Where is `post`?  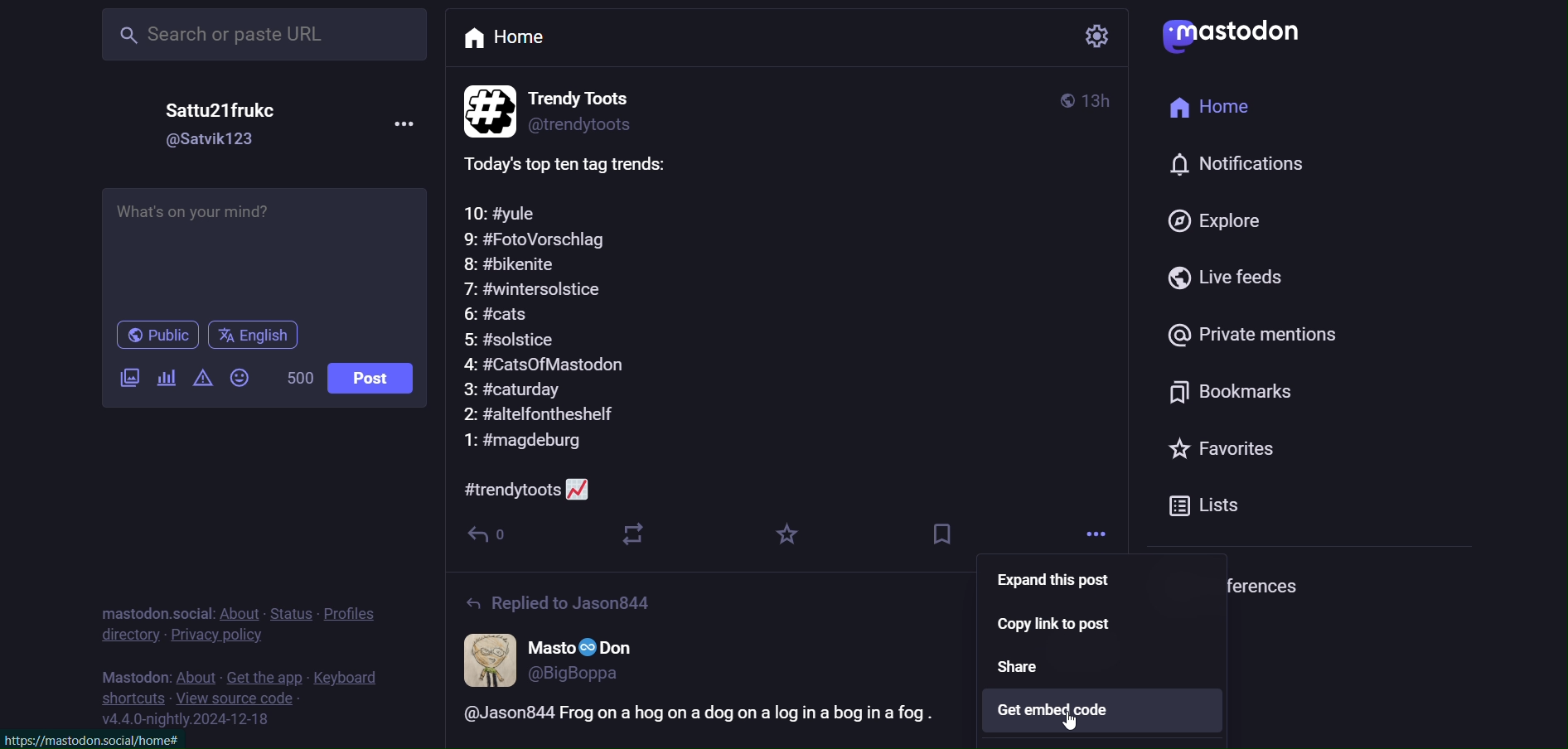
post is located at coordinates (373, 380).